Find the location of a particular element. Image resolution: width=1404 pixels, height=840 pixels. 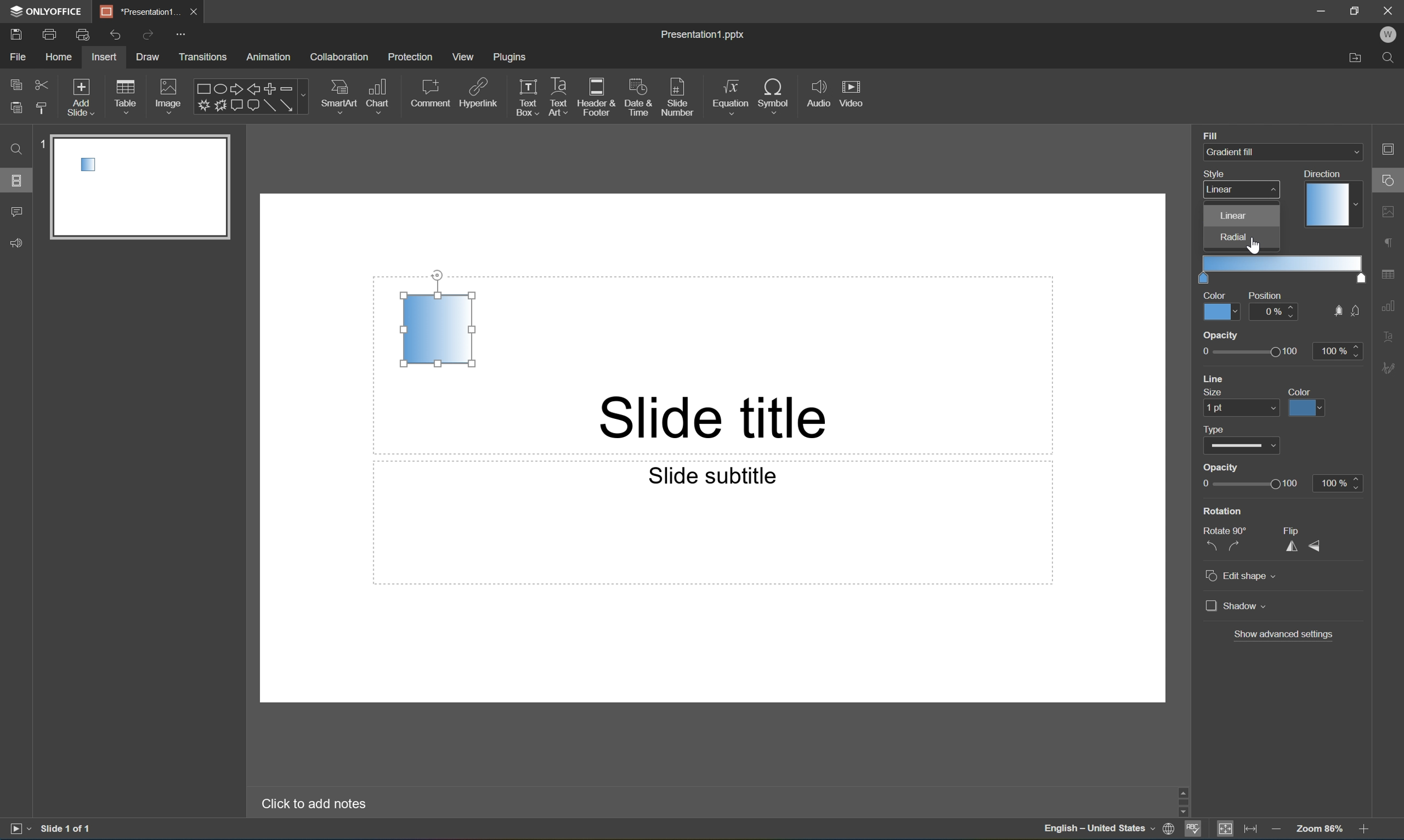

Copy is located at coordinates (17, 83).